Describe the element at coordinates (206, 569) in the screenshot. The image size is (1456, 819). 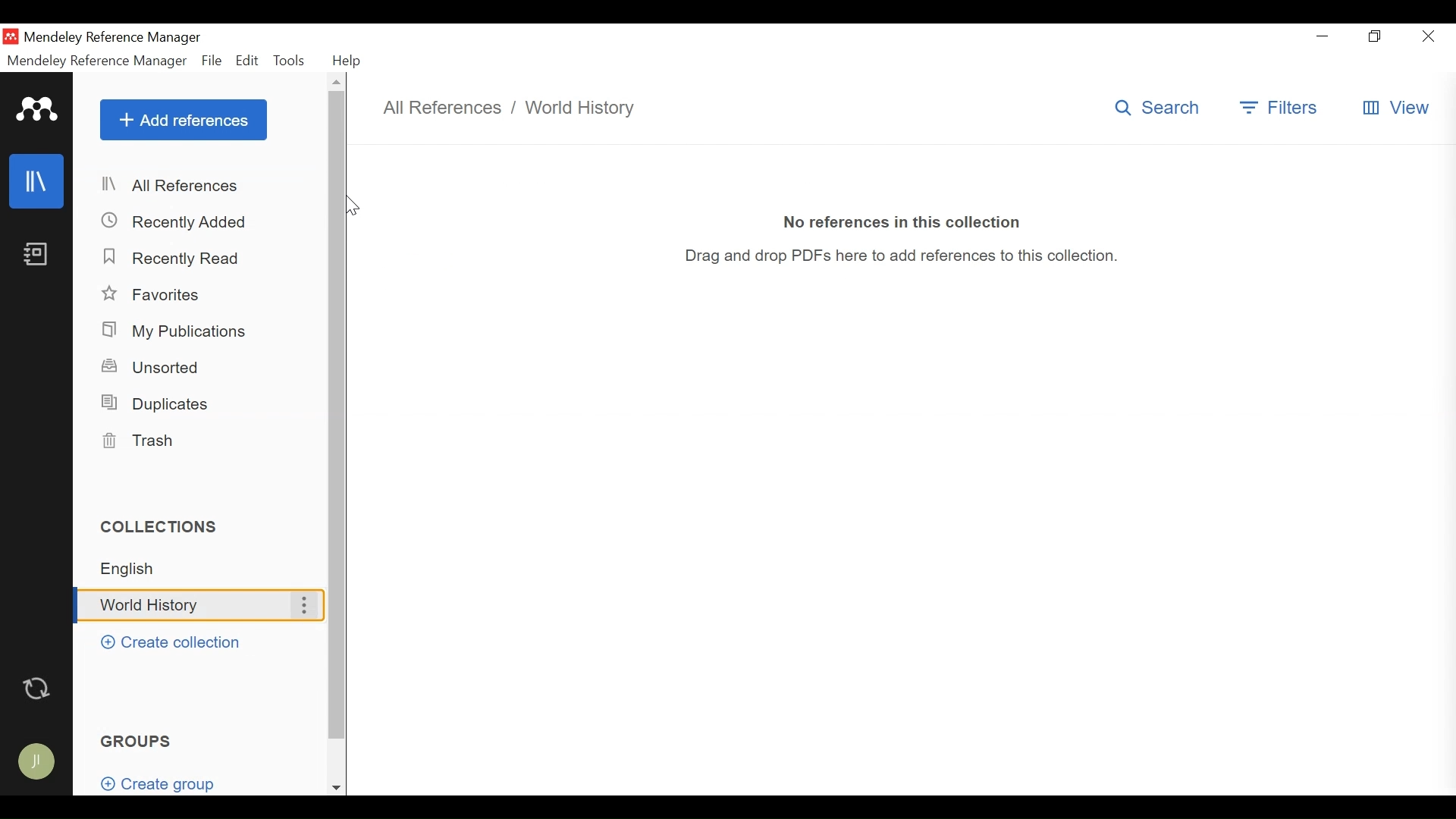
I see `Collection` at that location.